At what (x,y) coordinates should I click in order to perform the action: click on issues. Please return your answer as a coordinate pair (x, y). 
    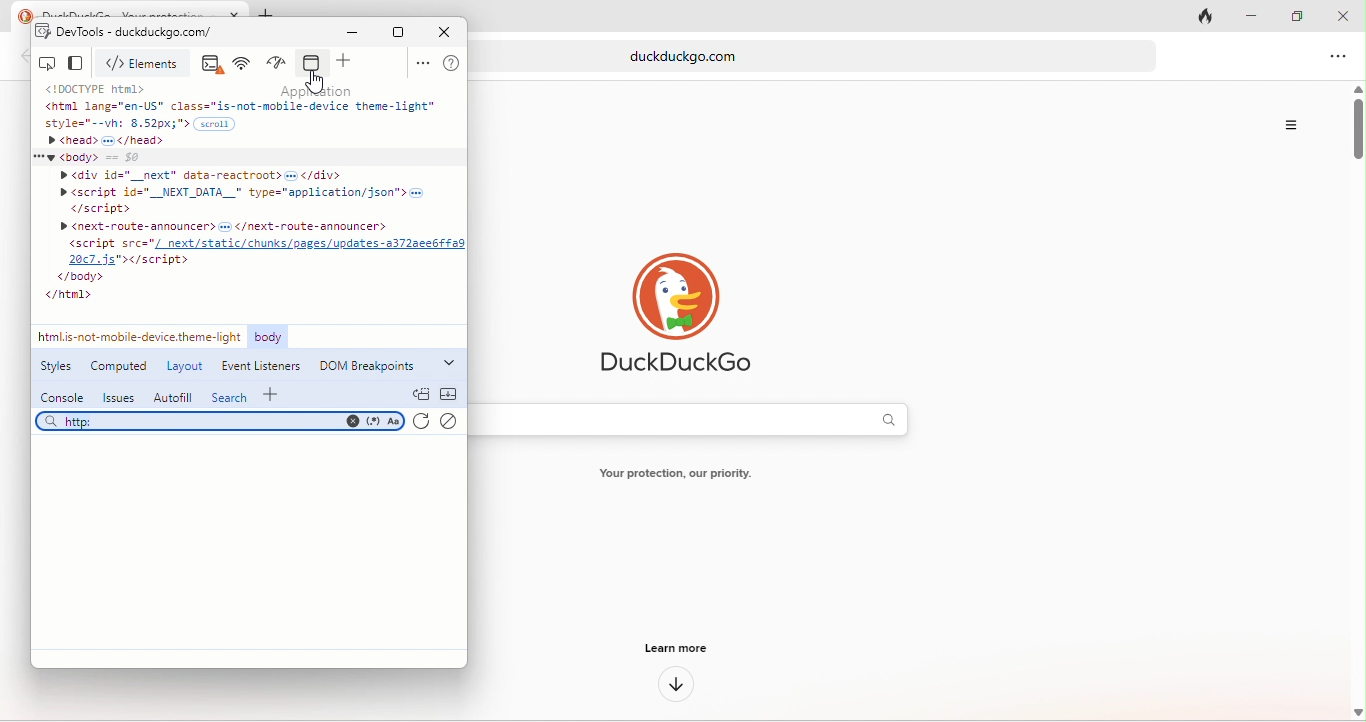
    Looking at the image, I should click on (119, 399).